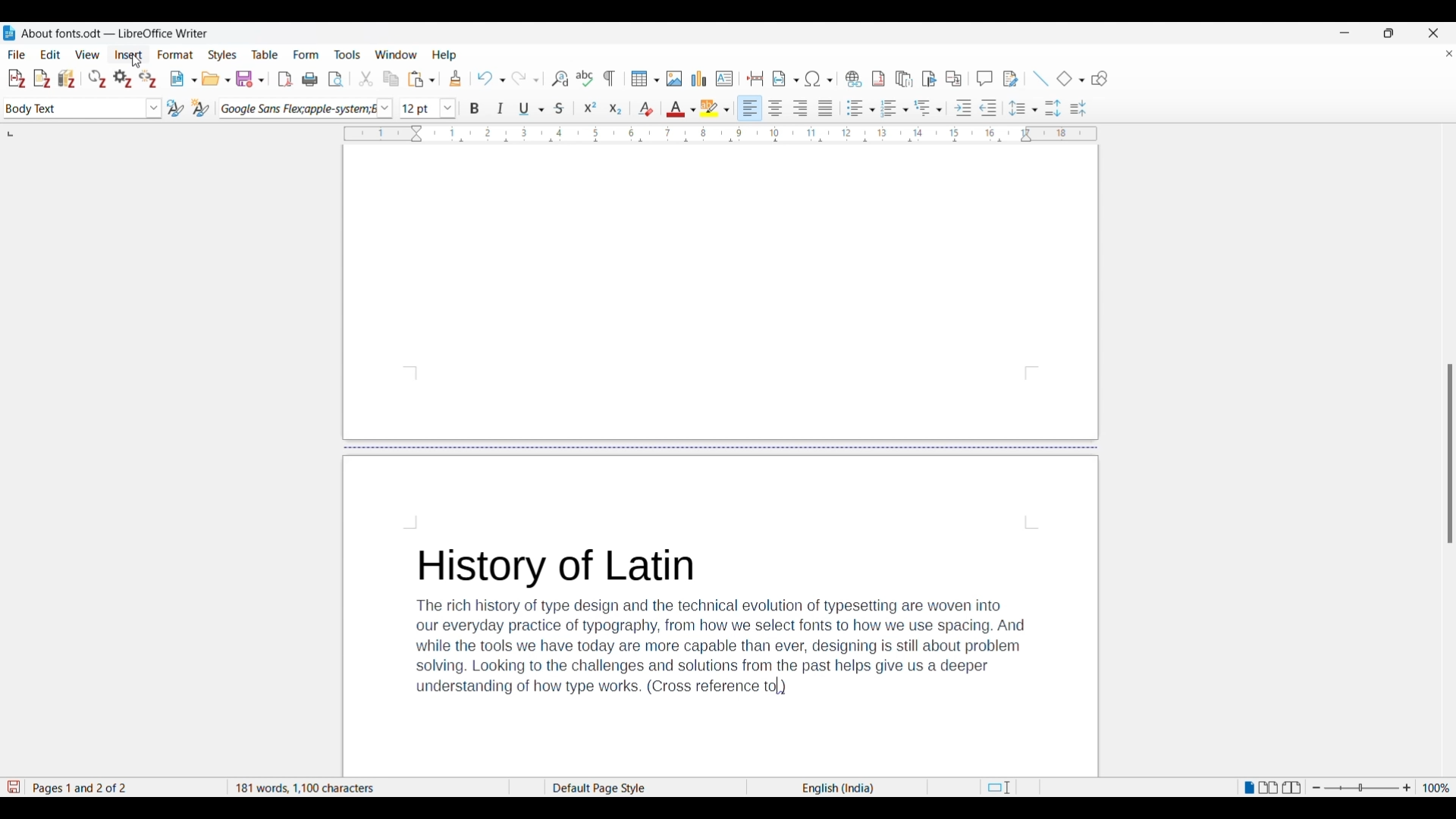 The height and width of the screenshot is (819, 1456). I want to click on Update selected style, so click(175, 108).